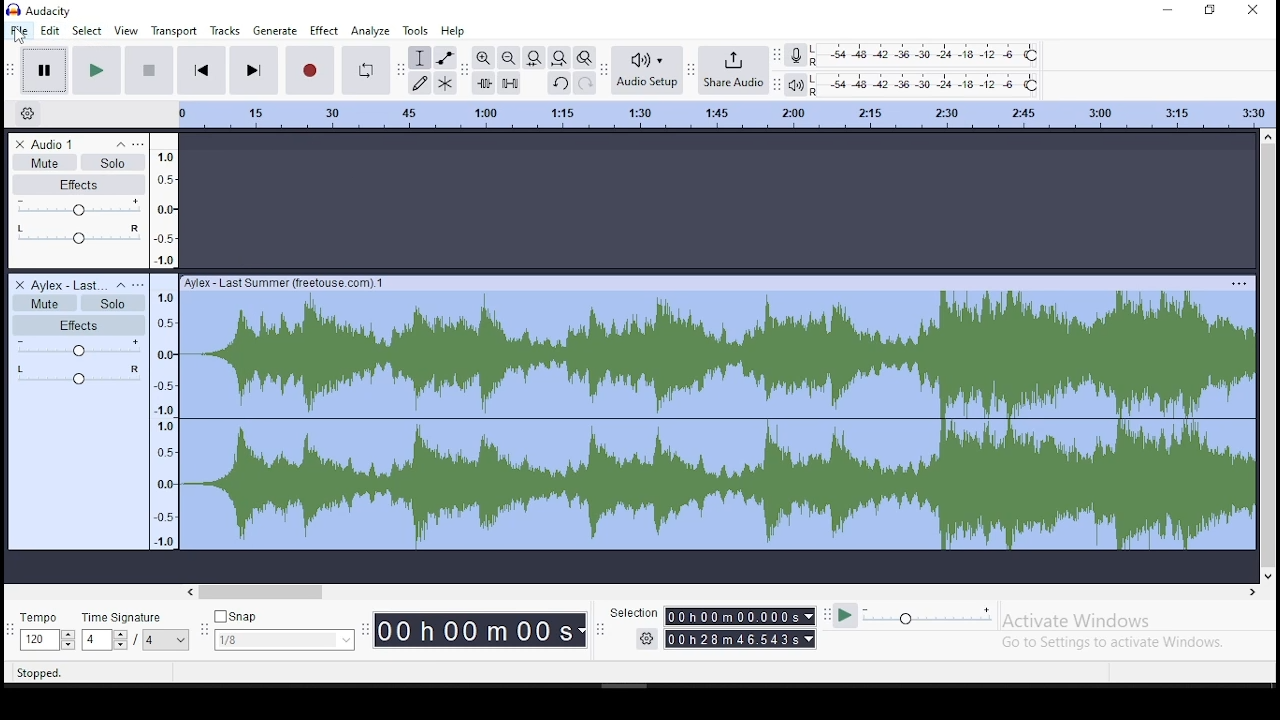 This screenshot has width=1280, height=720. Describe the element at coordinates (509, 83) in the screenshot. I see `silence selected audio` at that location.